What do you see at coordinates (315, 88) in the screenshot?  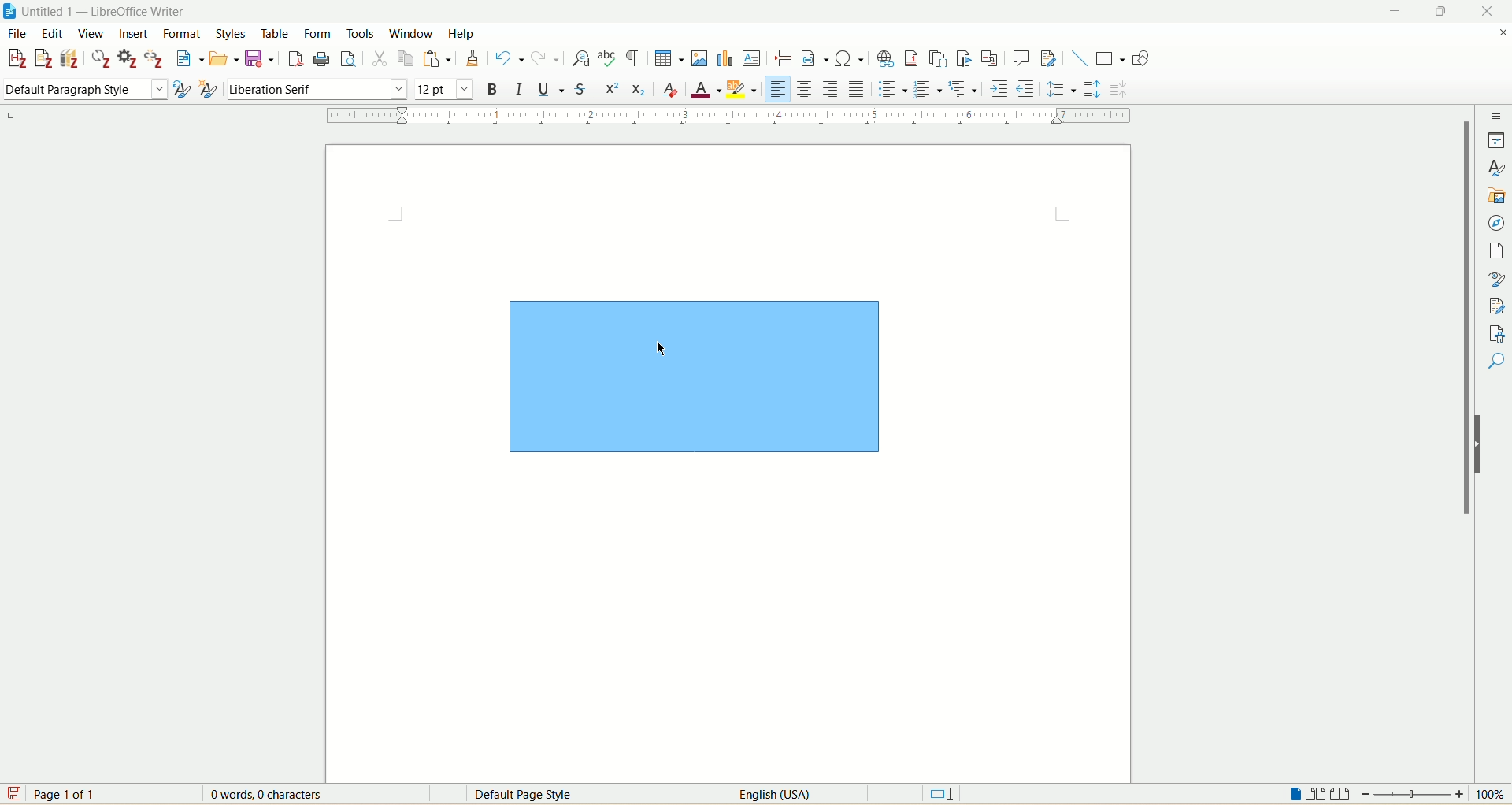 I see `font name` at bounding box center [315, 88].